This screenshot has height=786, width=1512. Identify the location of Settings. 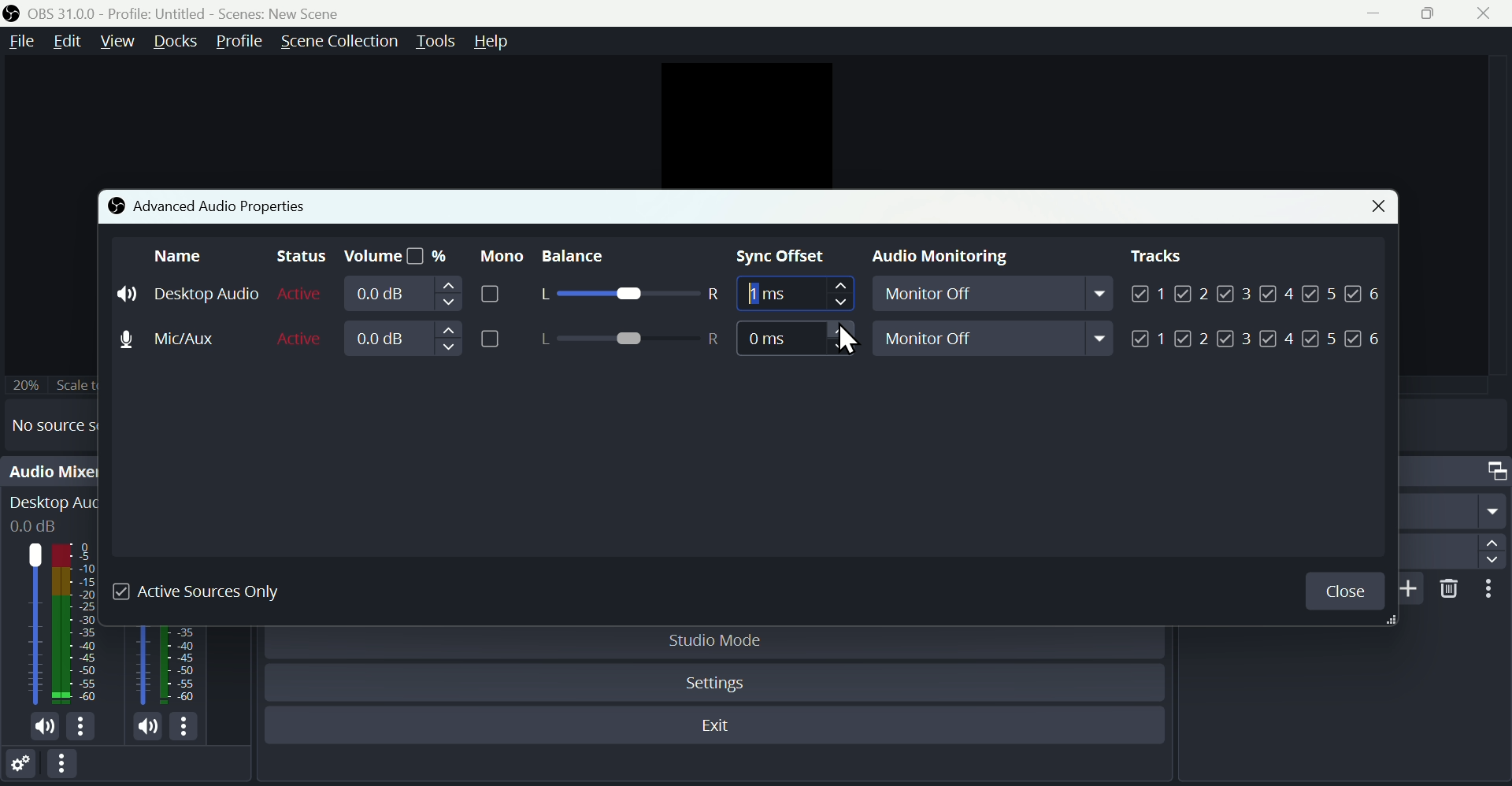
(20, 767).